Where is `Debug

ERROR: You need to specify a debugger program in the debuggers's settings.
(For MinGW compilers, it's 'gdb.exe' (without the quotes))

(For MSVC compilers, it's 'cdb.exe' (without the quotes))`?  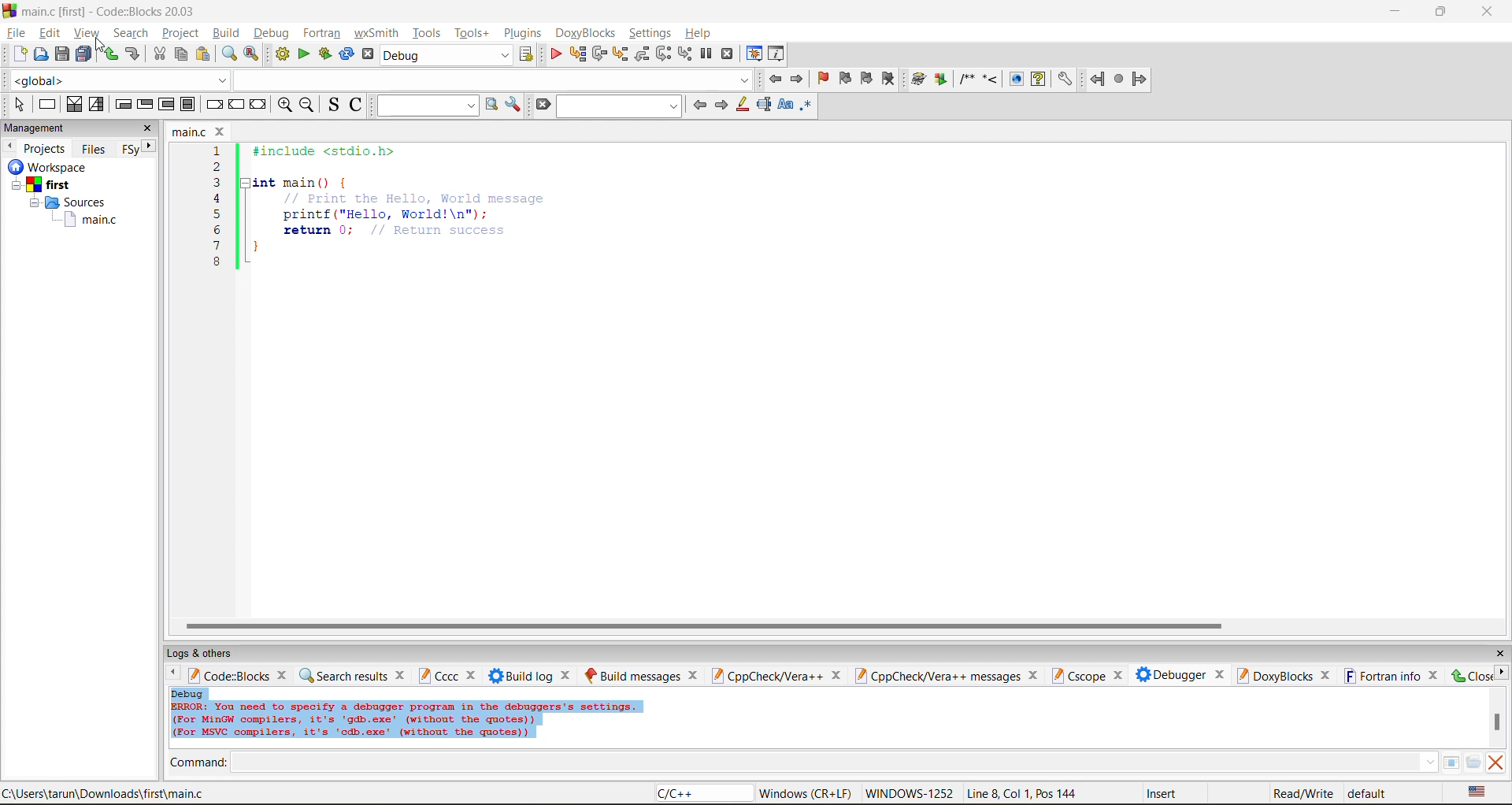
Debug

ERROR: You need to specify a debugger program in the debuggers's settings.
(For MinGW compilers, it's 'gdb.exe' (without the quotes))

(For MSVC compilers, it's 'cdb.exe' (without the quotes)) is located at coordinates (407, 715).